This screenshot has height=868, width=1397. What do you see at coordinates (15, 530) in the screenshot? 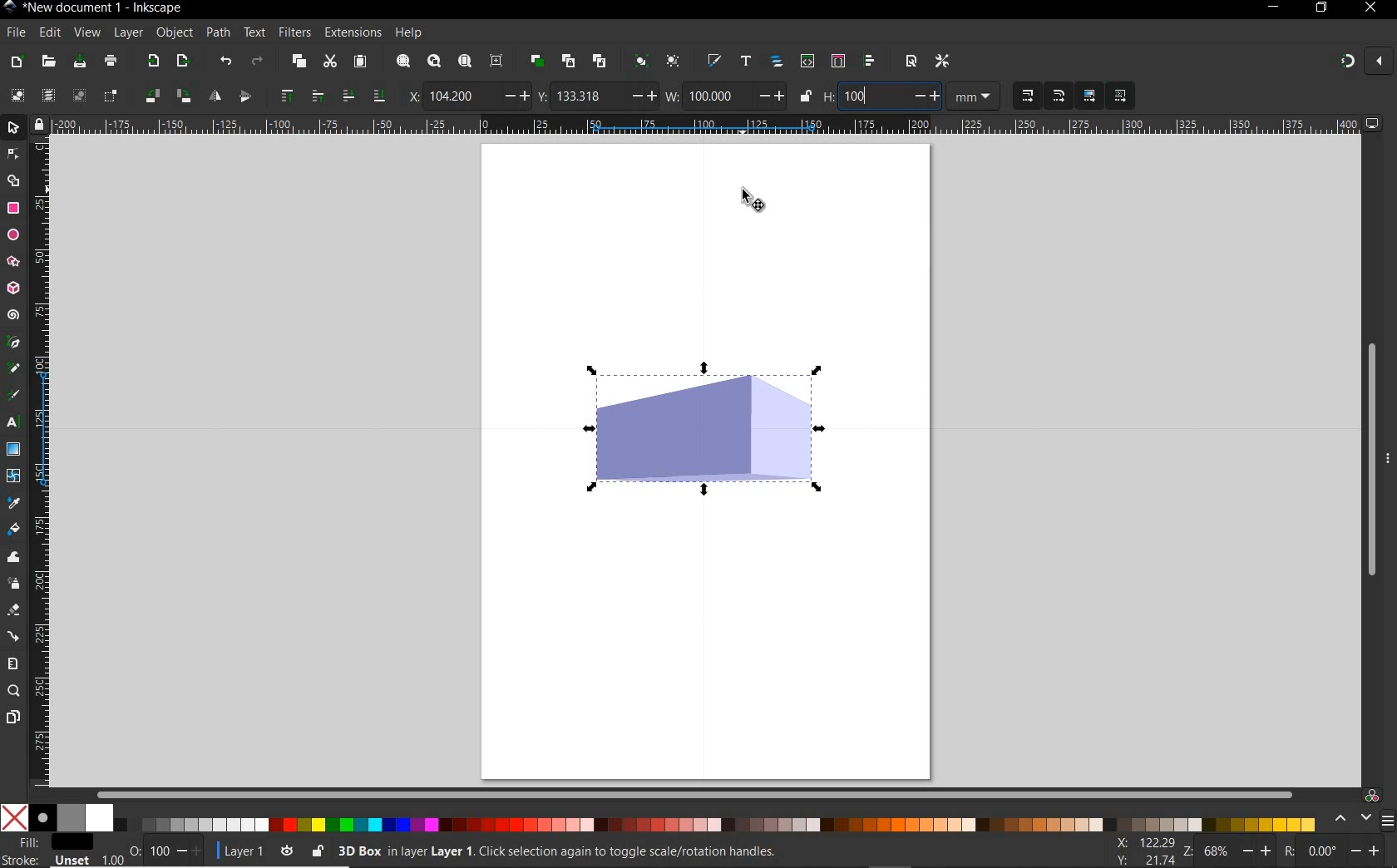
I see `paint bucket tool` at bounding box center [15, 530].